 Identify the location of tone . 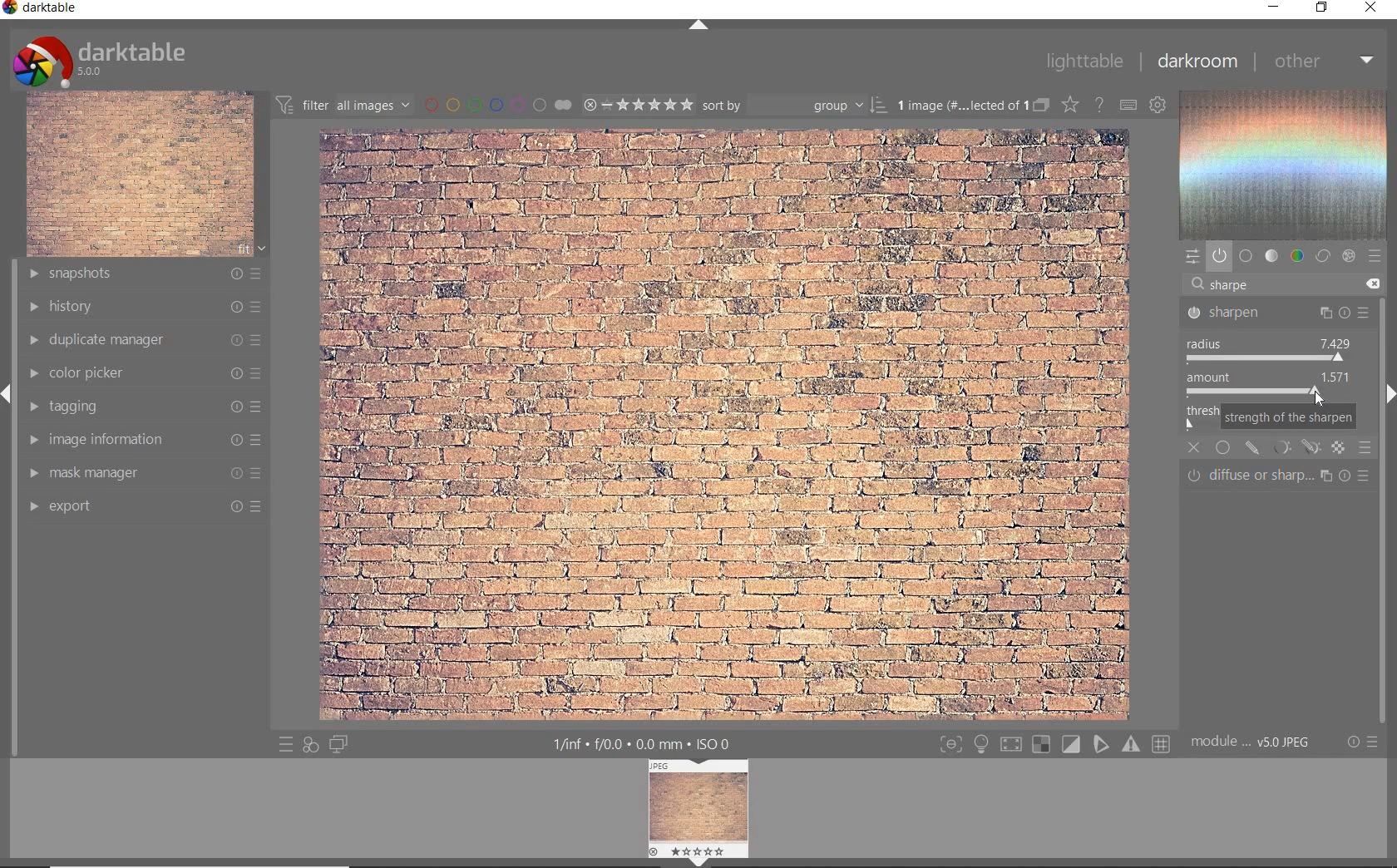
(1272, 256).